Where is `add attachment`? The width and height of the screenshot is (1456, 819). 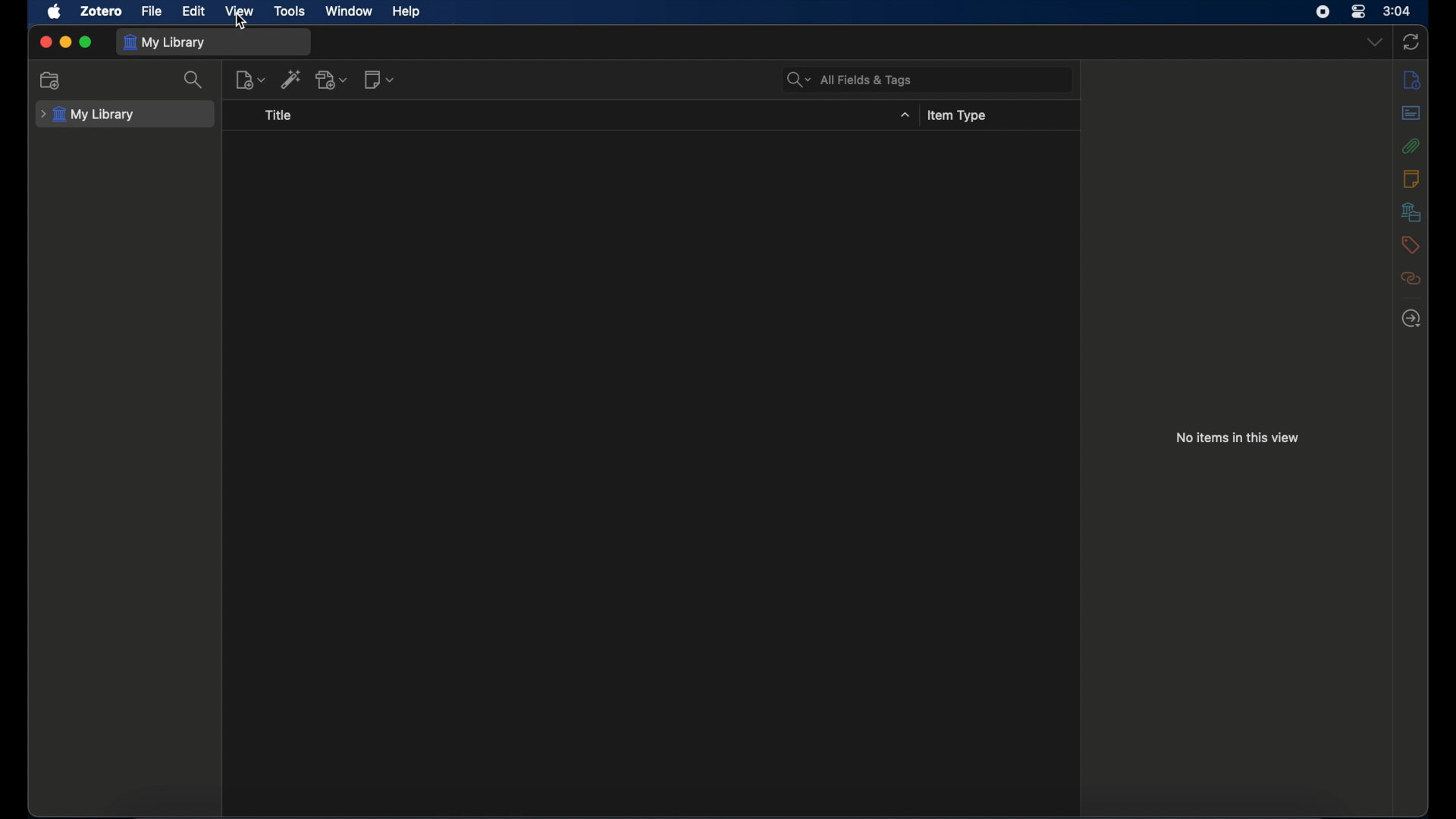
add attachment is located at coordinates (333, 80).